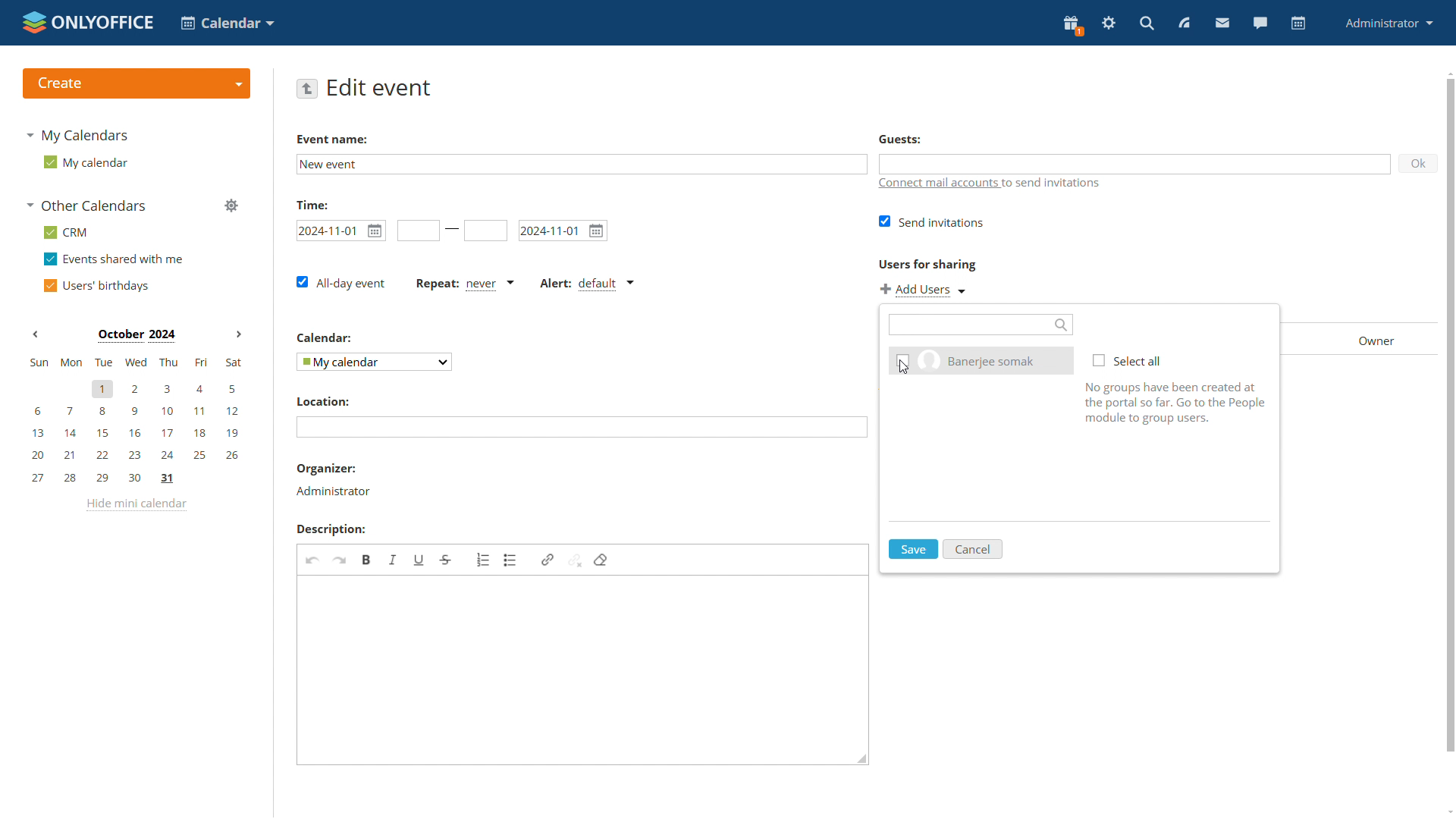 This screenshot has width=1456, height=819. What do you see at coordinates (1135, 164) in the screenshot?
I see `guests` at bounding box center [1135, 164].